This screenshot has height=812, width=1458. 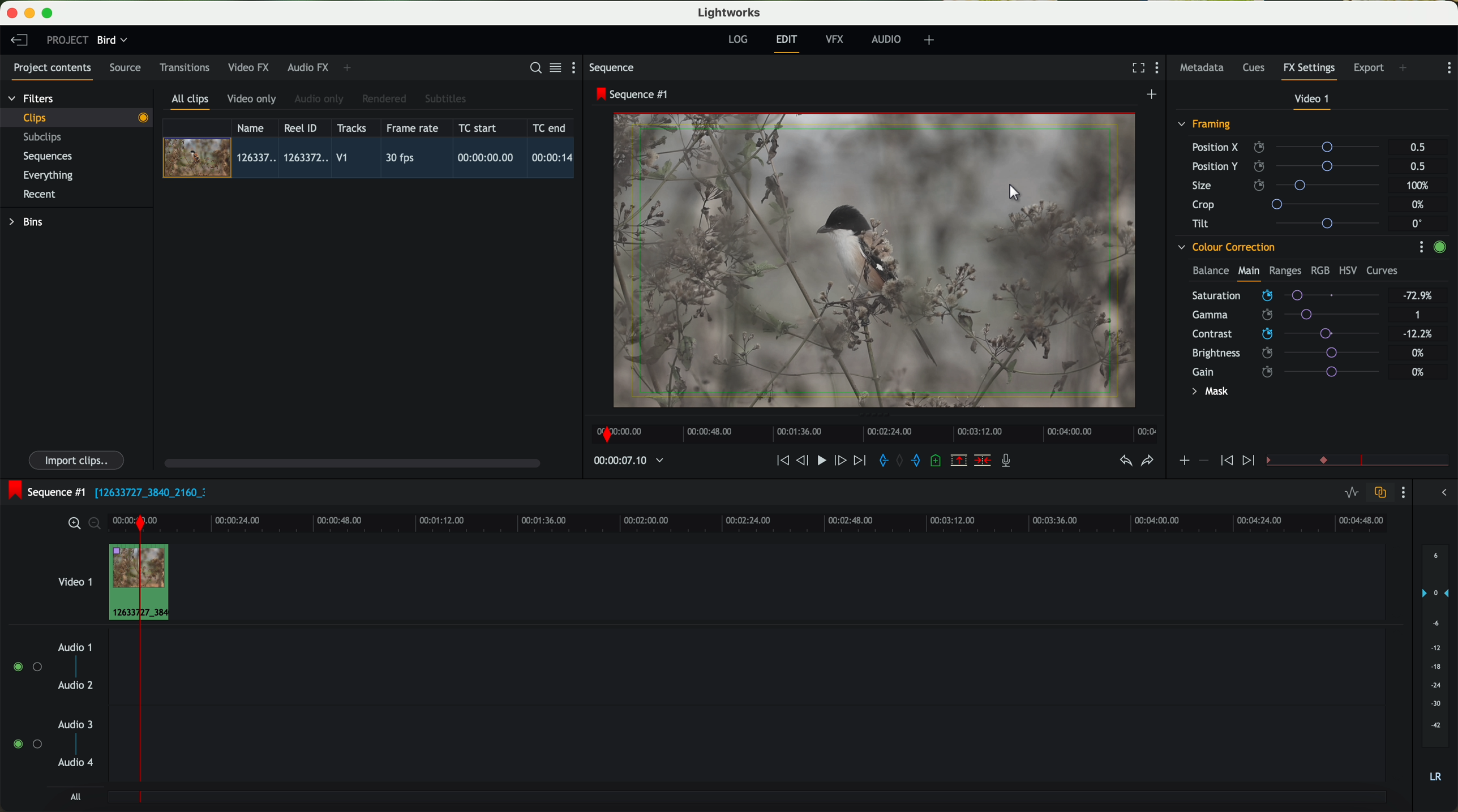 I want to click on remove the marked section, so click(x=960, y=461).